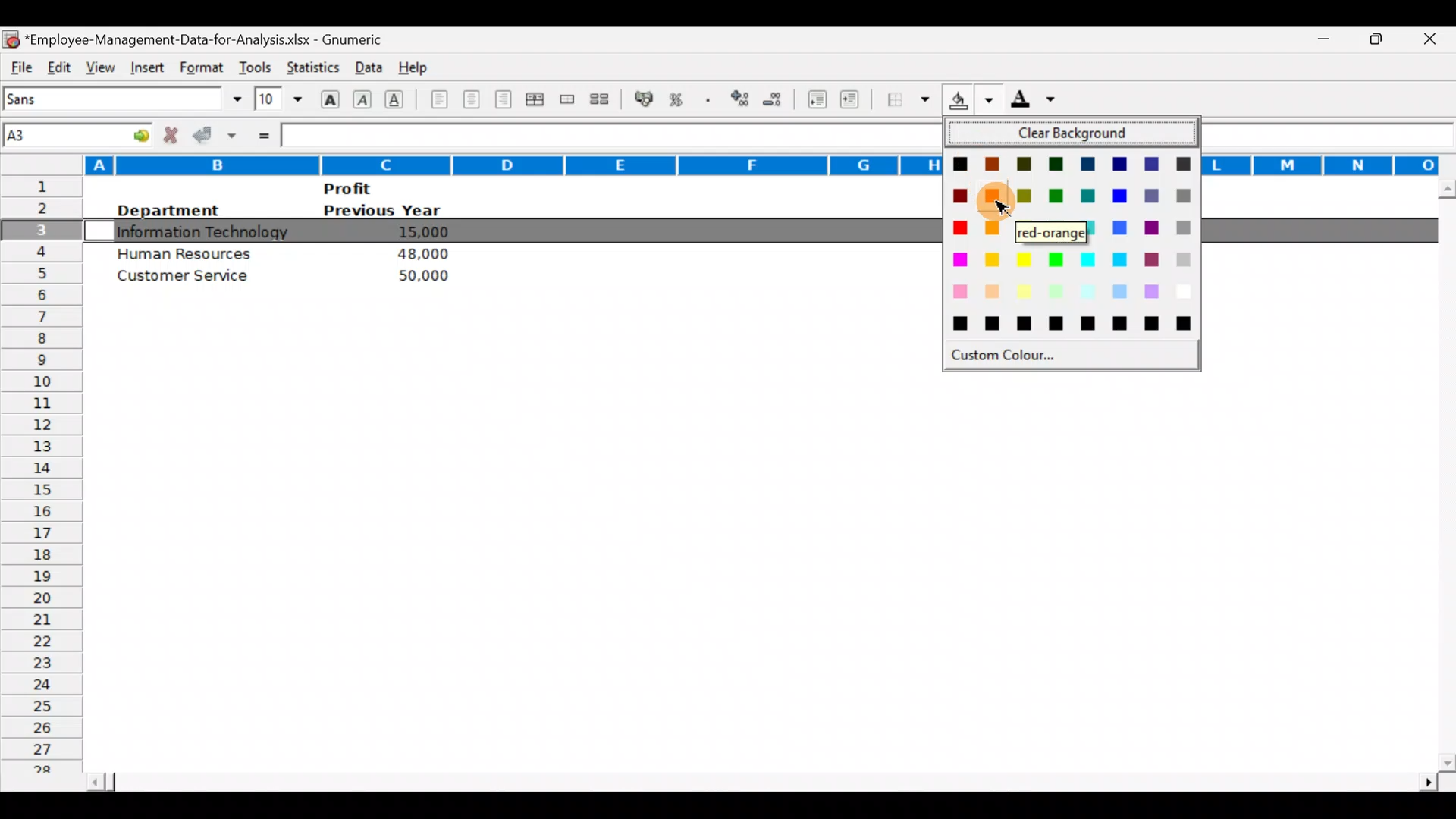 The height and width of the screenshot is (819, 1456). Describe the element at coordinates (908, 99) in the screenshot. I see `Borders` at that location.